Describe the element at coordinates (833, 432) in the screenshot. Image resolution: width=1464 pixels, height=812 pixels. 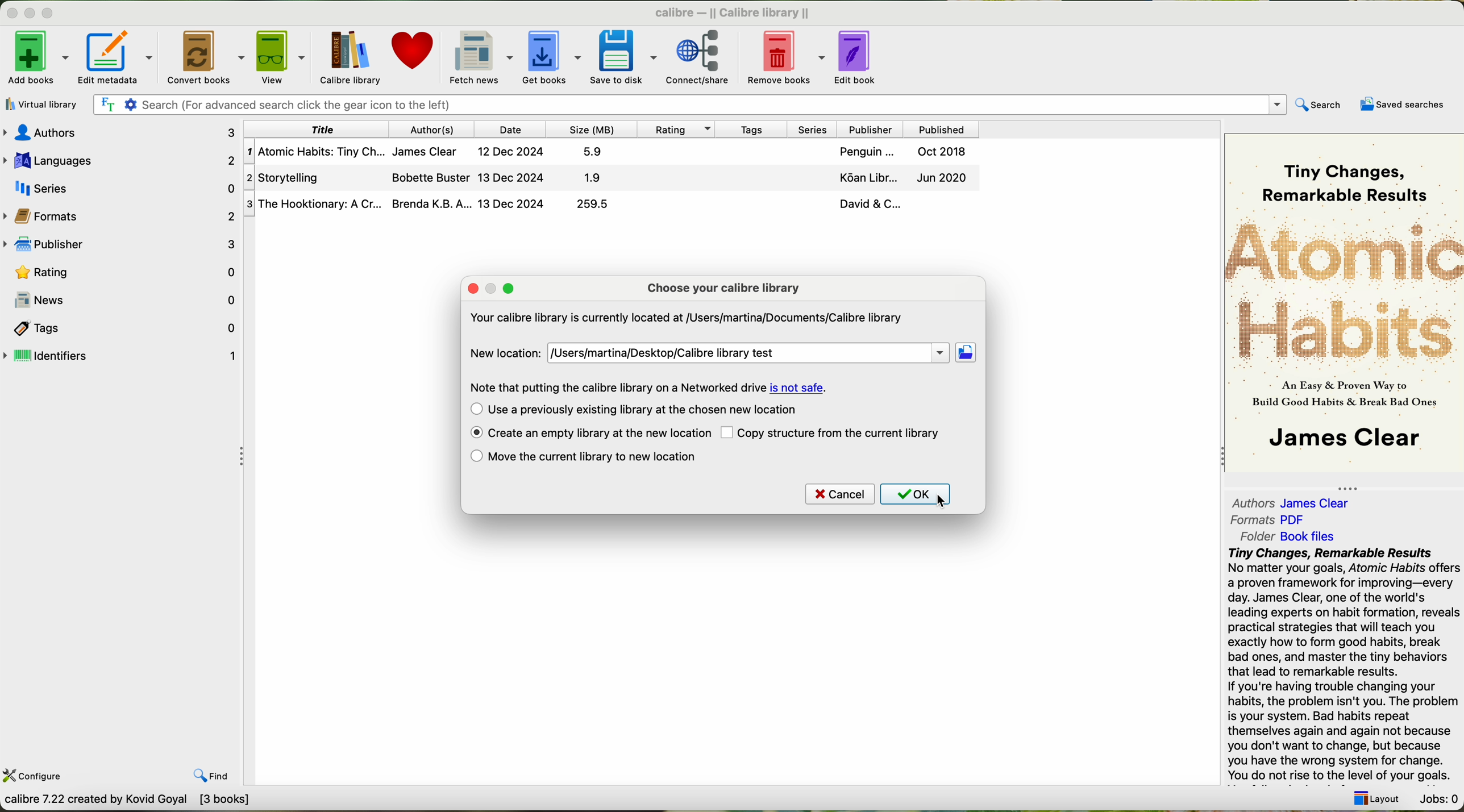
I see `copy structure from the current library` at that location.